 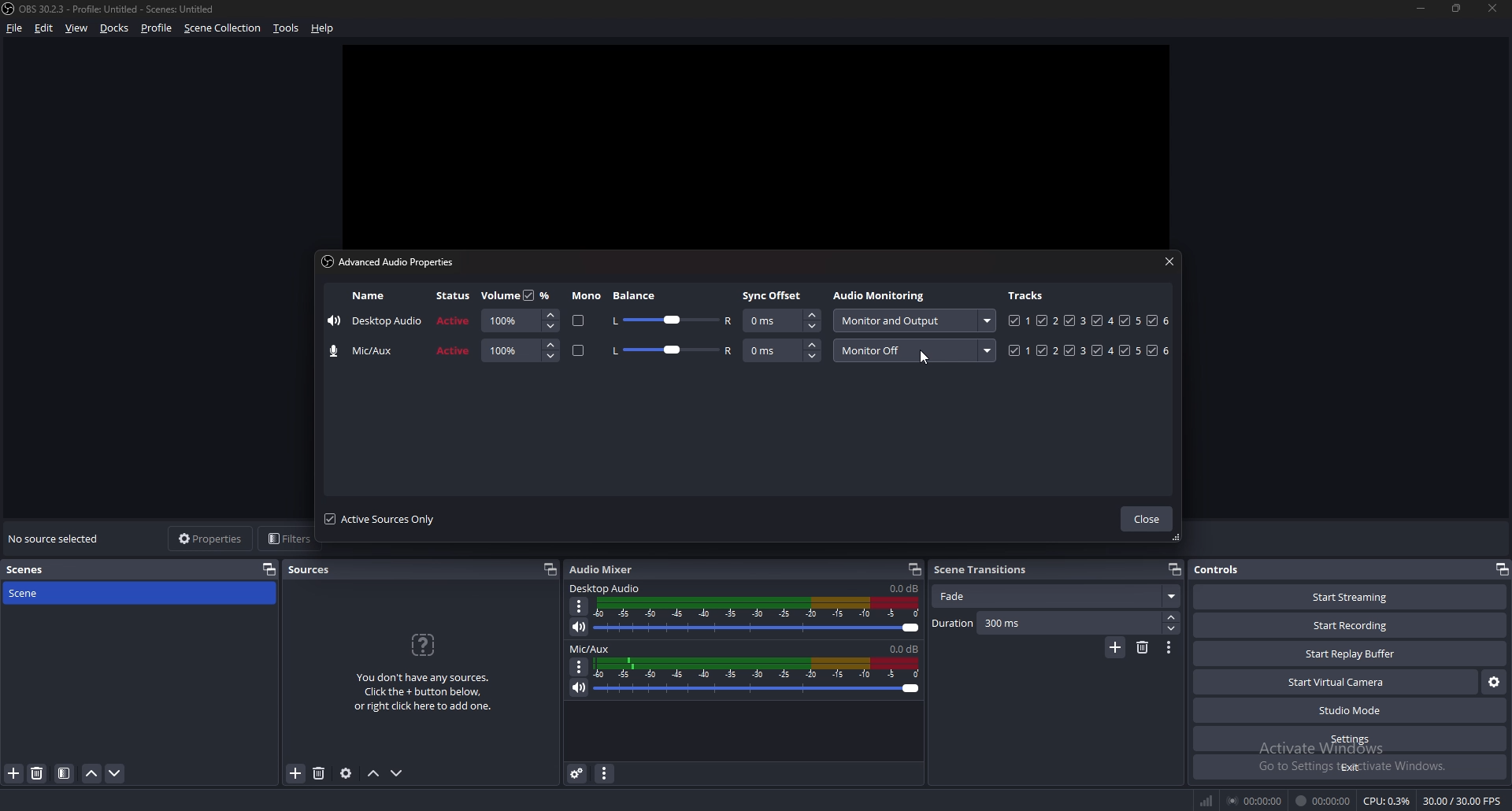 I want to click on status, so click(x=454, y=320).